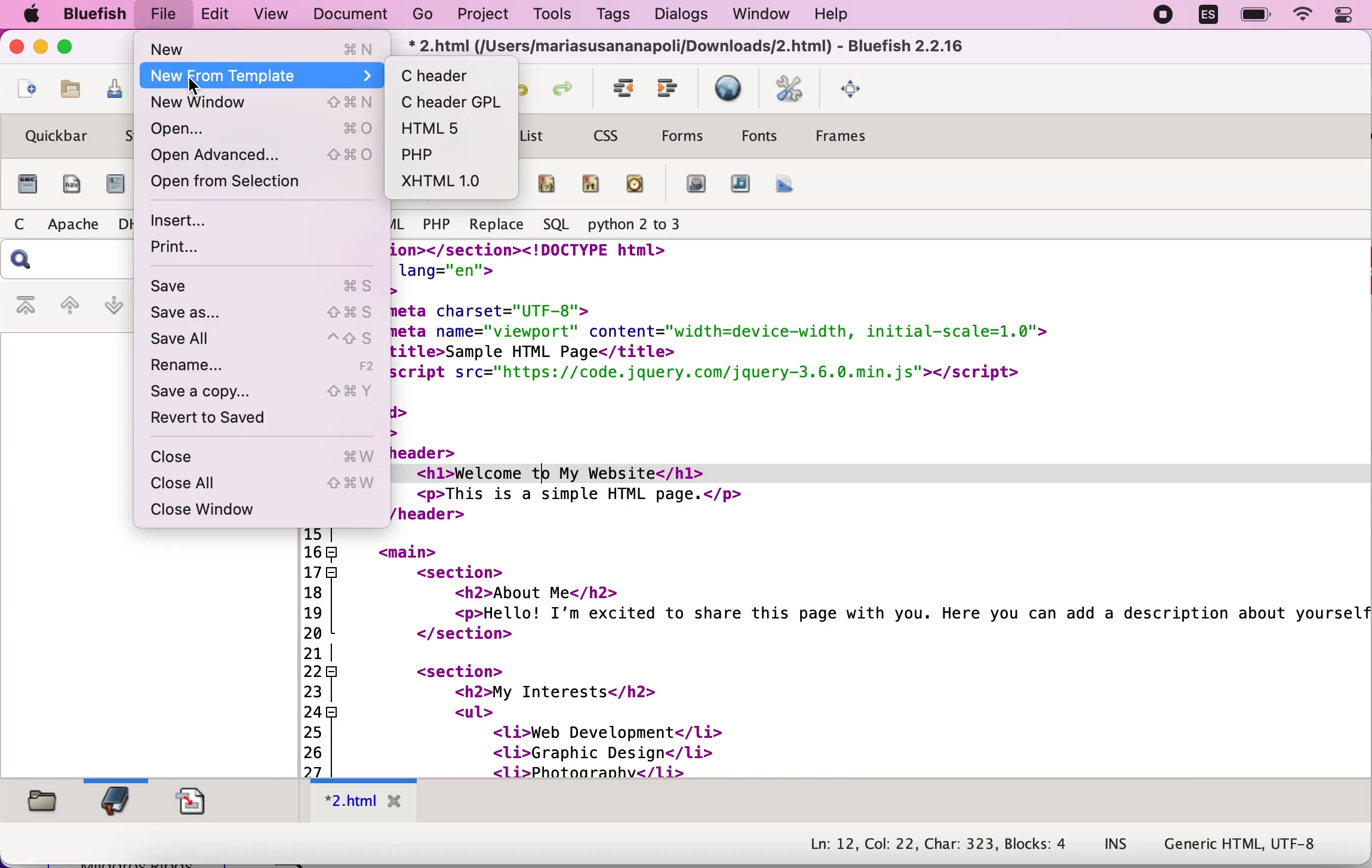  What do you see at coordinates (401, 221) in the screenshot?
I see `HTML` at bounding box center [401, 221].